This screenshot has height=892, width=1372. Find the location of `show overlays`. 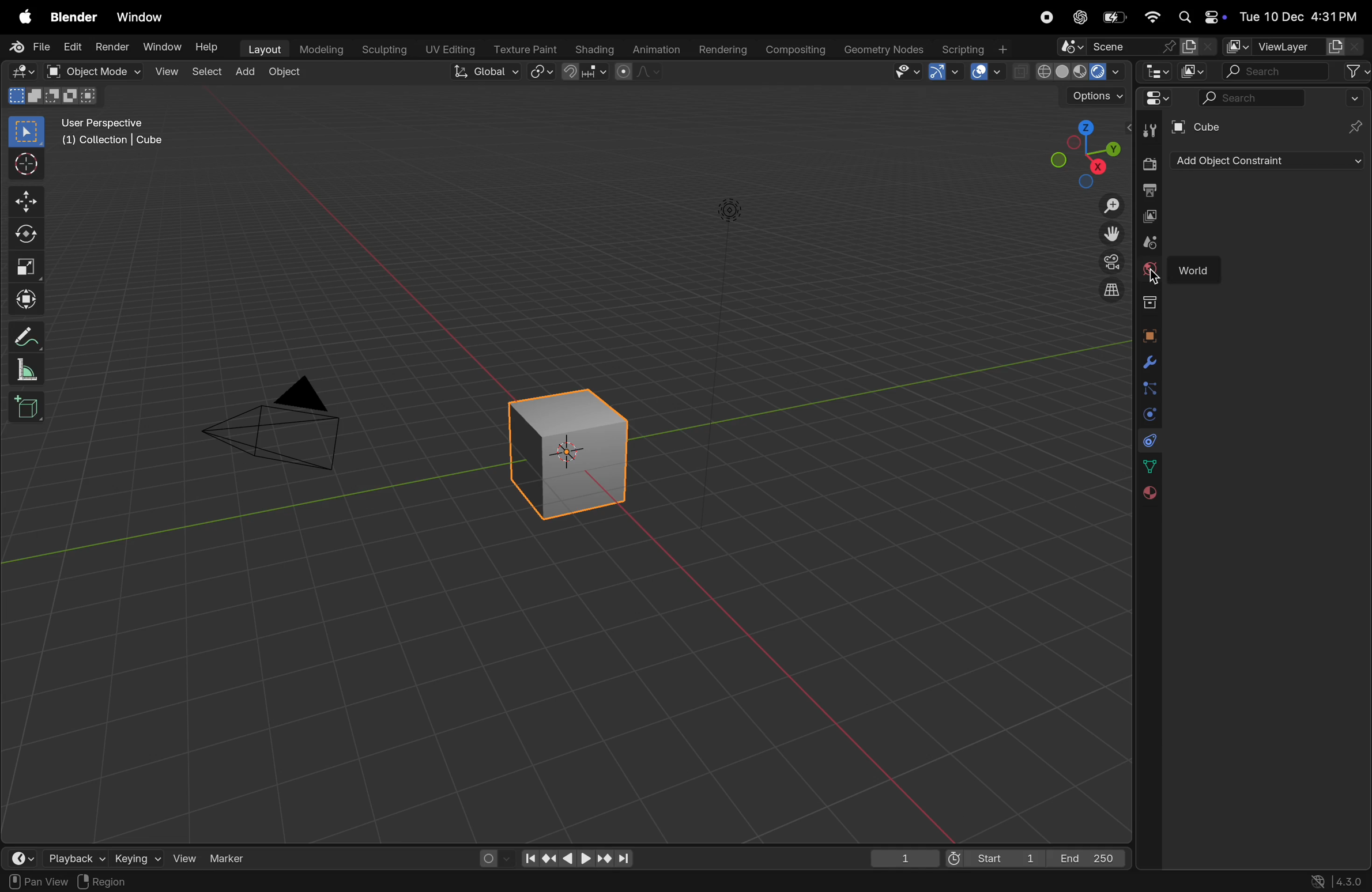

show overlays is located at coordinates (988, 71).